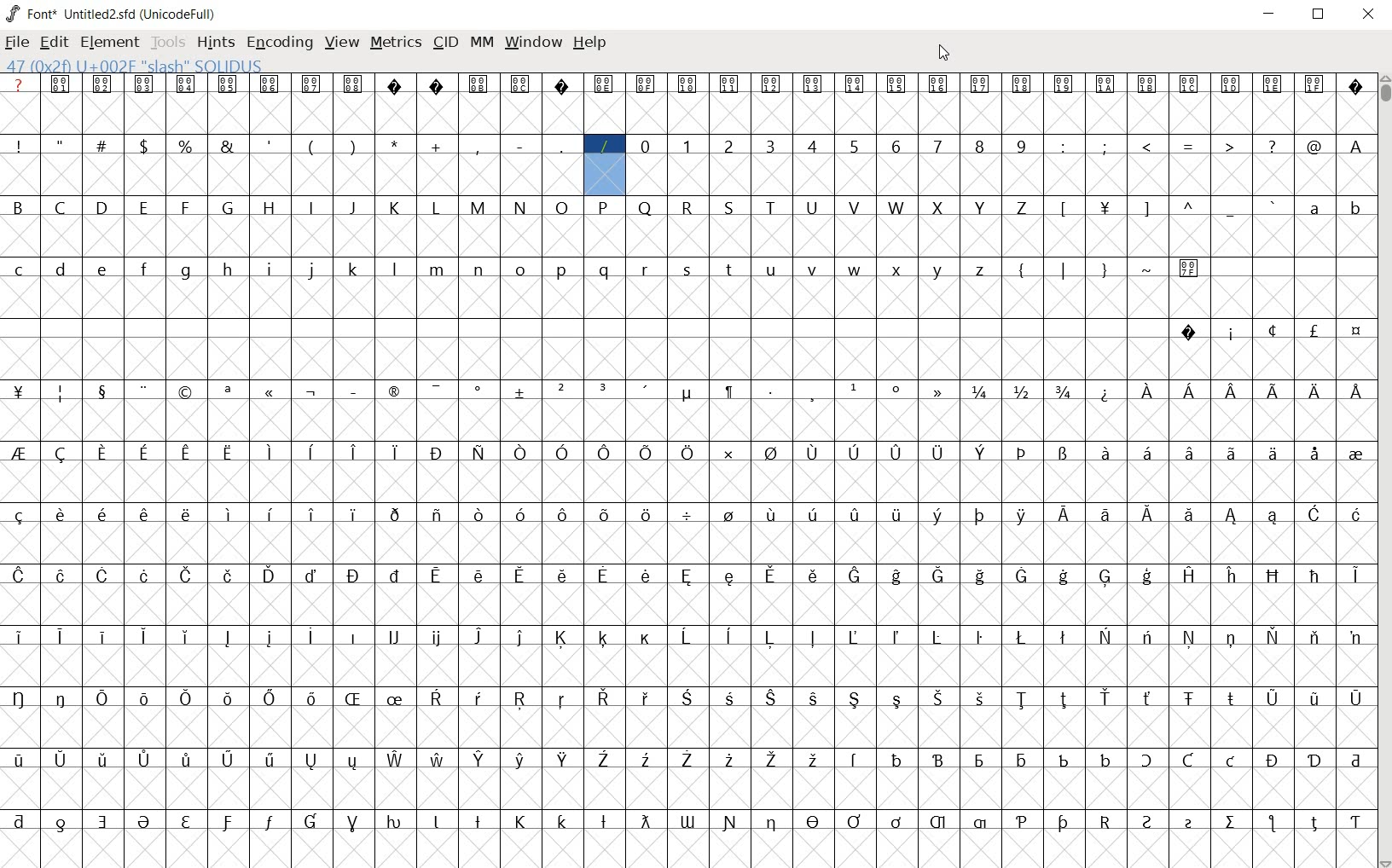  Describe the element at coordinates (1314, 209) in the screenshot. I see `glyph` at that location.